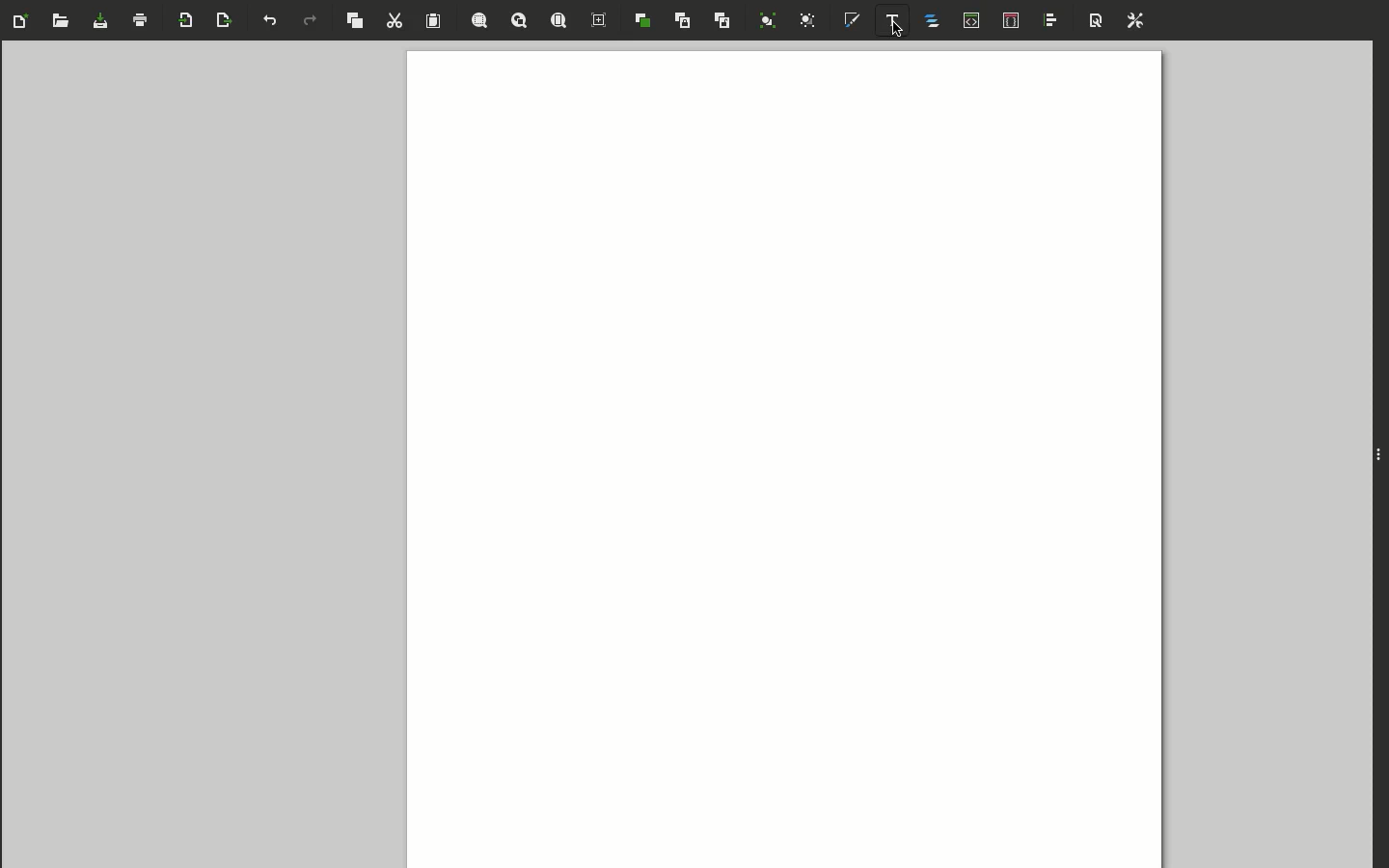  Describe the element at coordinates (898, 24) in the screenshot. I see `Text and font` at that location.